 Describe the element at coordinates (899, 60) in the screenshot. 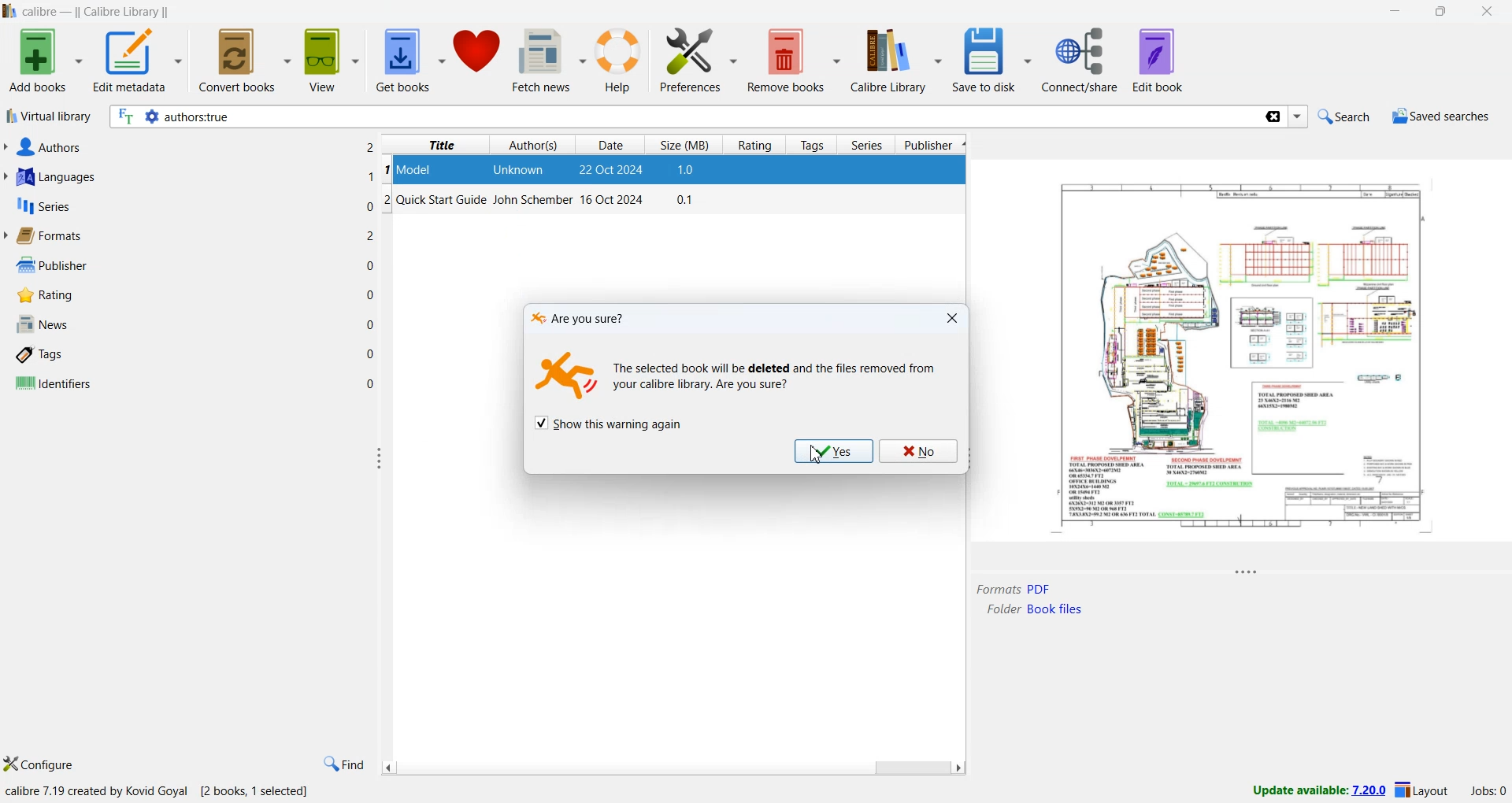

I see `calibre library` at that location.